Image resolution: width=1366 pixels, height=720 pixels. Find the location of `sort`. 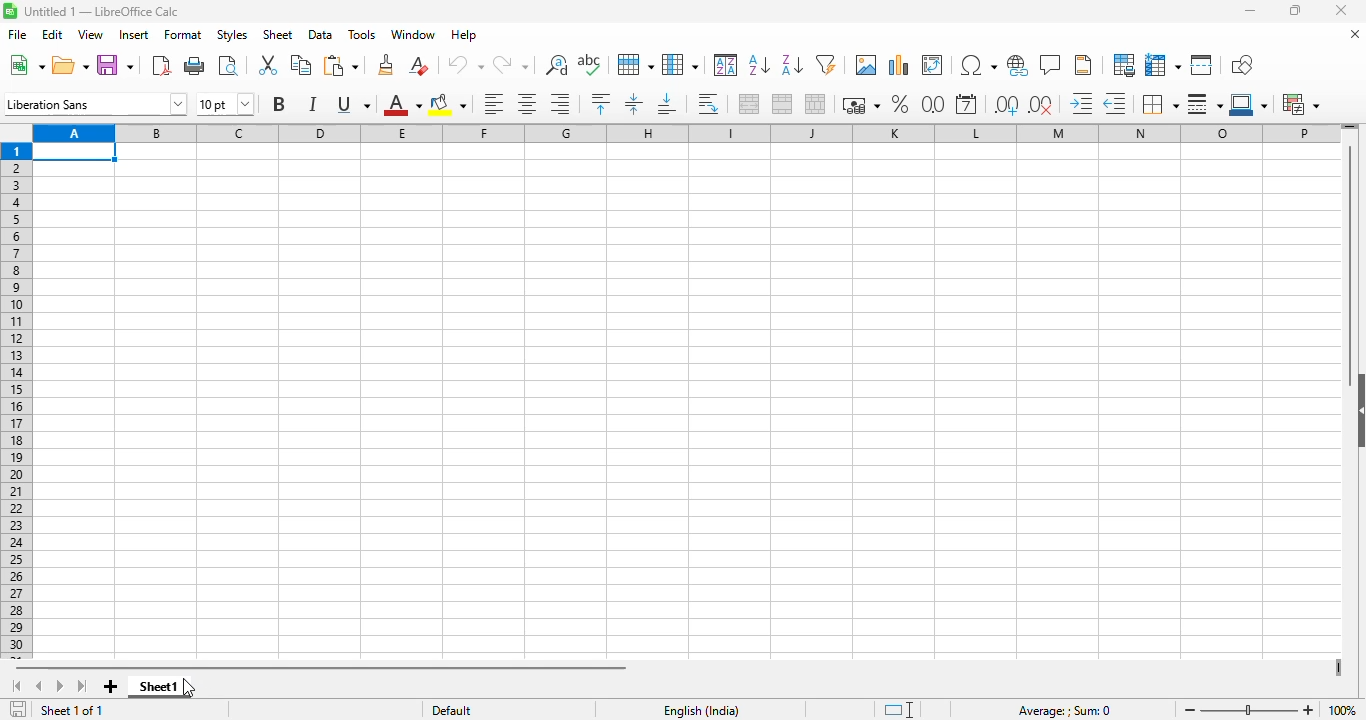

sort is located at coordinates (726, 65).